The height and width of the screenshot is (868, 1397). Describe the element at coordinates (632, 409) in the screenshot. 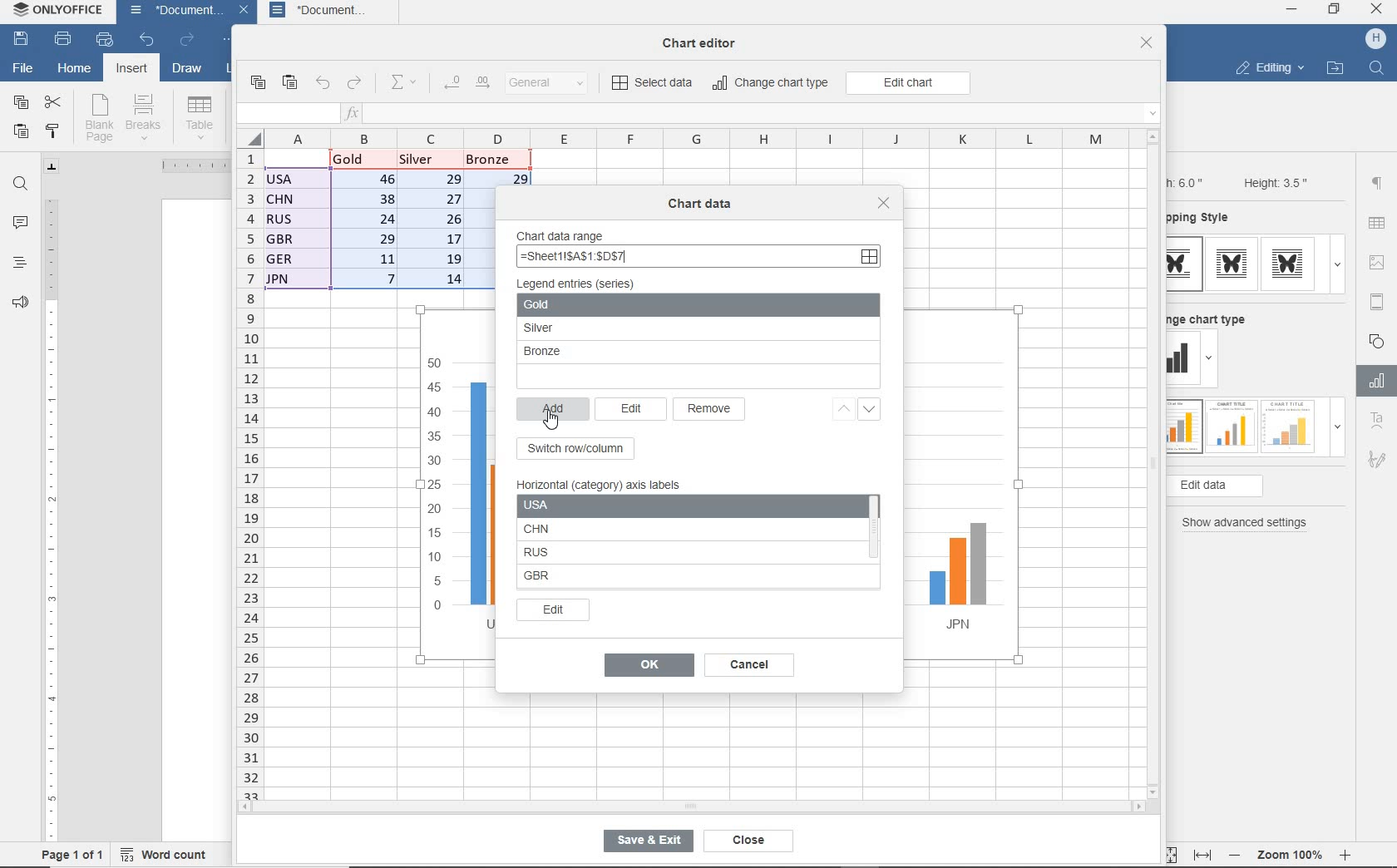

I see `edit` at that location.